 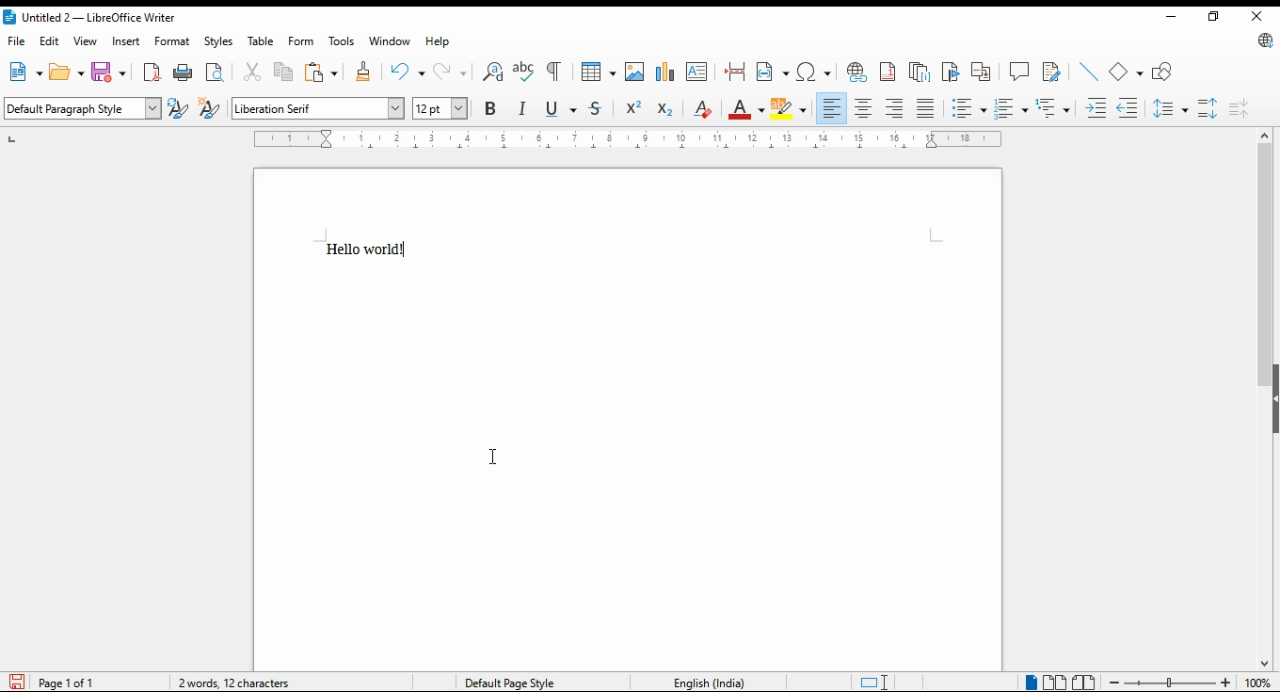 What do you see at coordinates (154, 70) in the screenshot?
I see `export directly as pdf` at bounding box center [154, 70].